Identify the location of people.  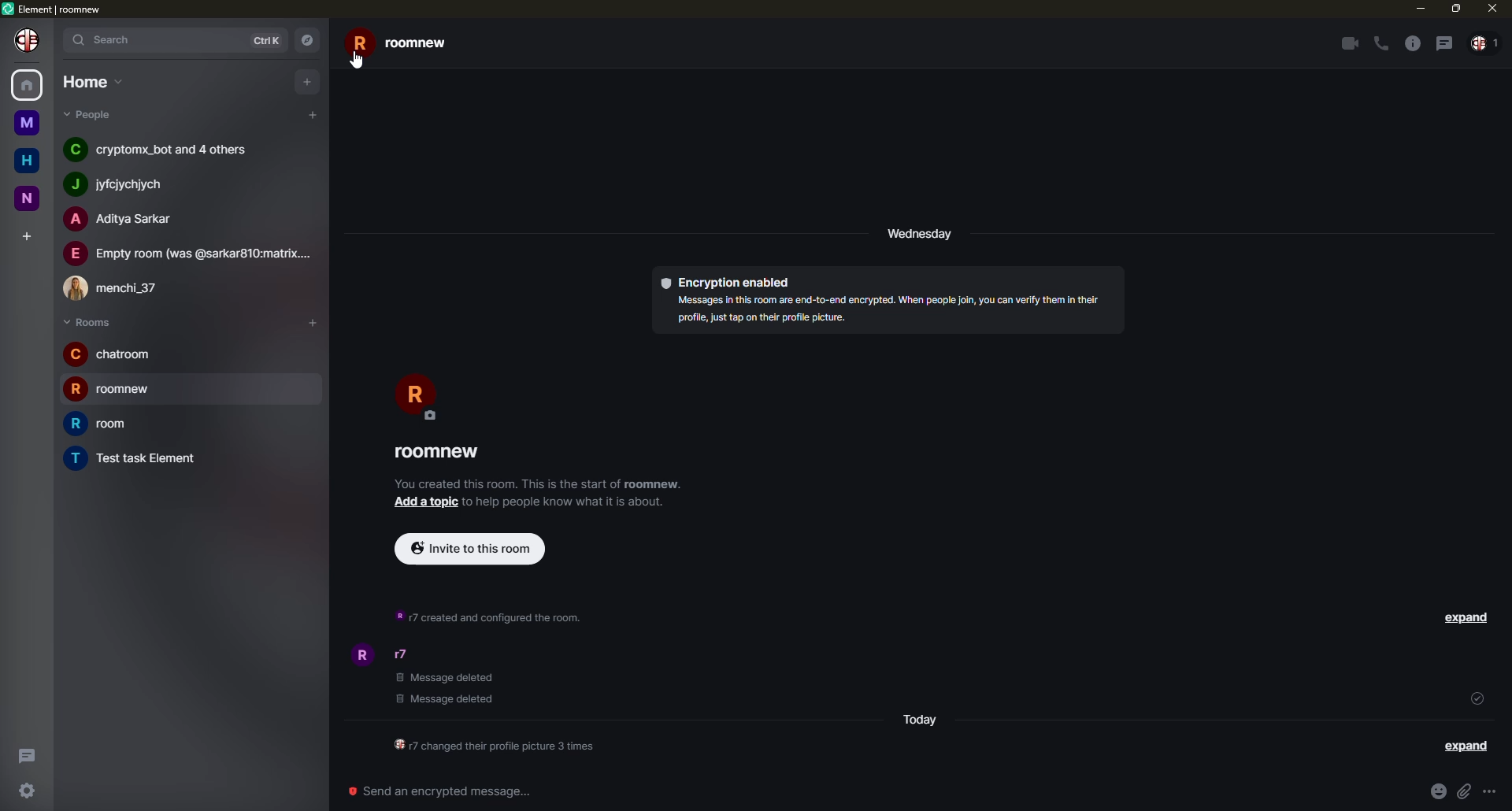
(92, 115).